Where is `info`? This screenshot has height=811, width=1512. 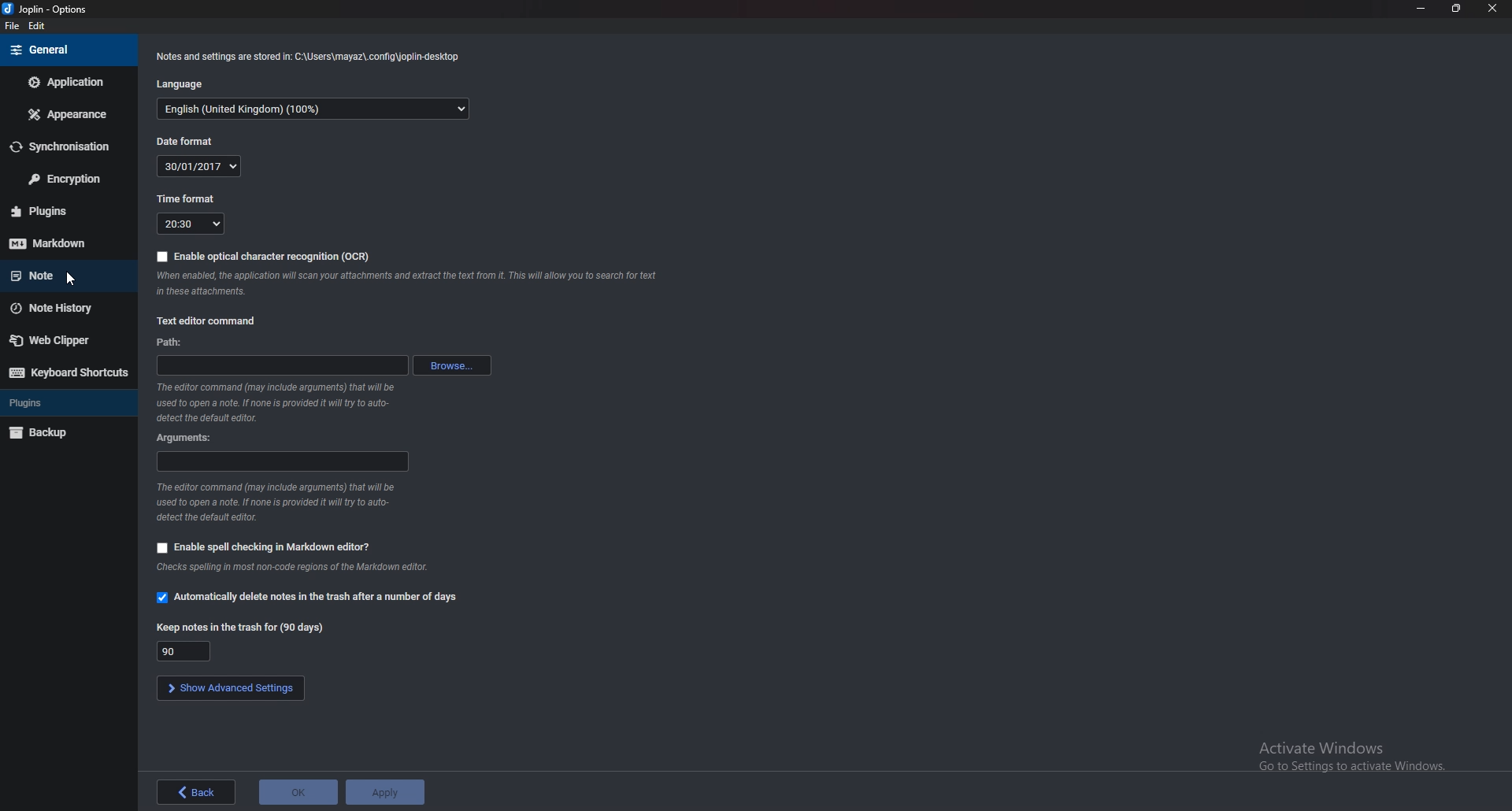 info is located at coordinates (411, 285).